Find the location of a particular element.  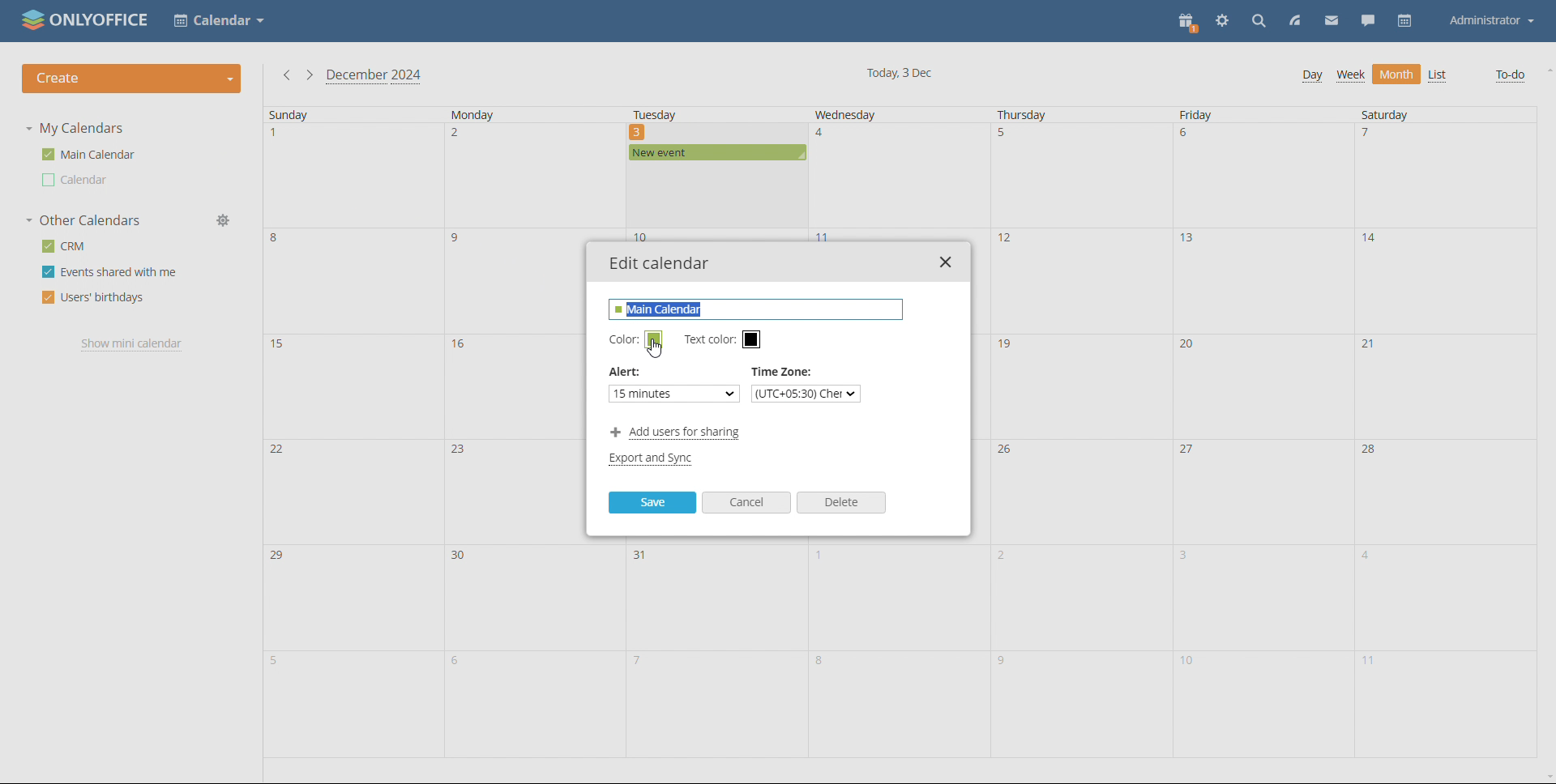

tuesday is located at coordinates (695, 114).